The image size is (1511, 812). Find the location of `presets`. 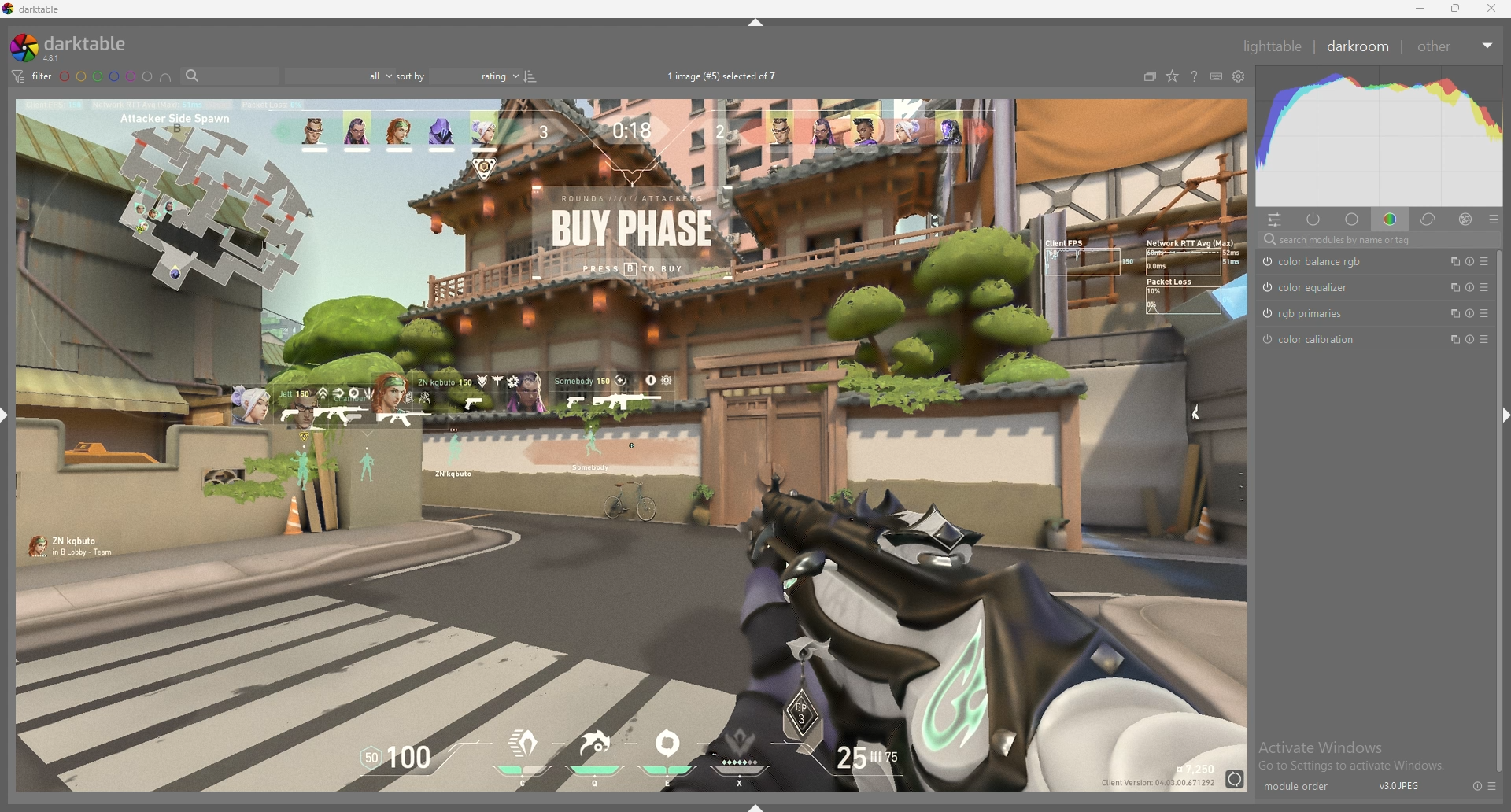

presets is located at coordinates (1484, 261).